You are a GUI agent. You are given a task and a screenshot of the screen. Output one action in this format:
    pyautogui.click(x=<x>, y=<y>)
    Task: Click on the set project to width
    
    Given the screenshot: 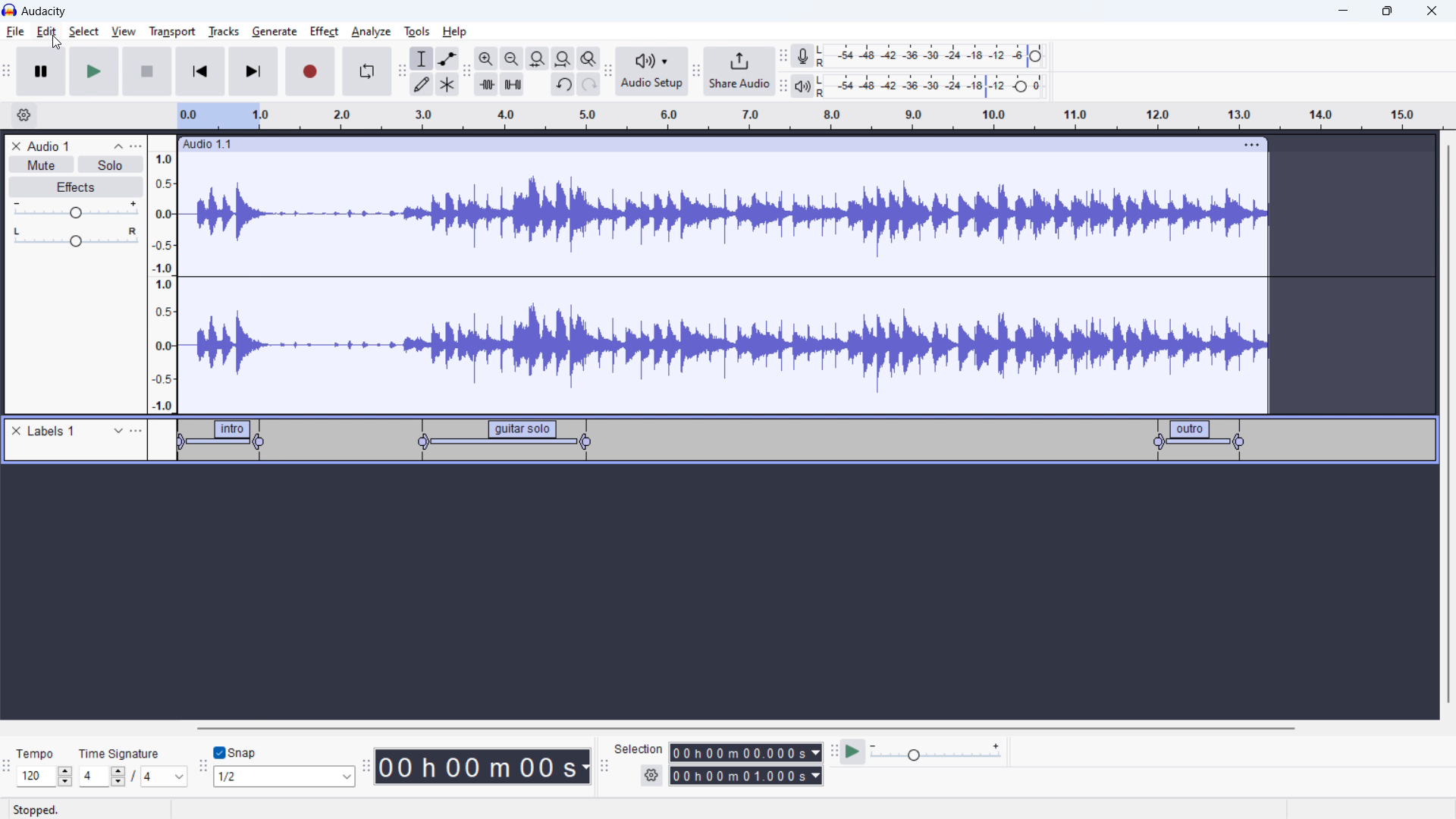 What is the action you would take?
    pyautogui.click(x=563, y=58)
    